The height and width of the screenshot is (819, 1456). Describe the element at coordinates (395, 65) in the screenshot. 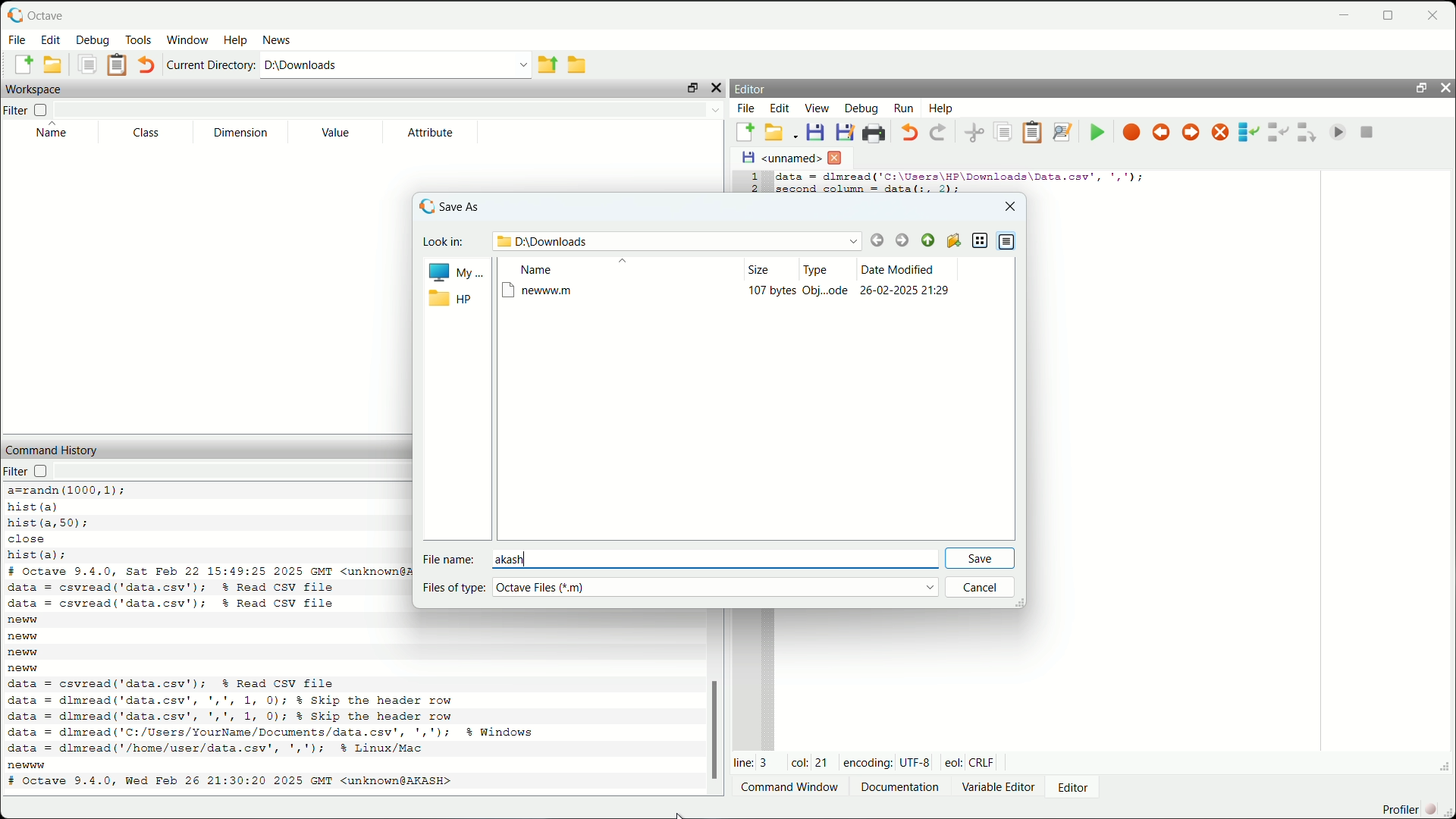

I see `enter directory name` at that location.